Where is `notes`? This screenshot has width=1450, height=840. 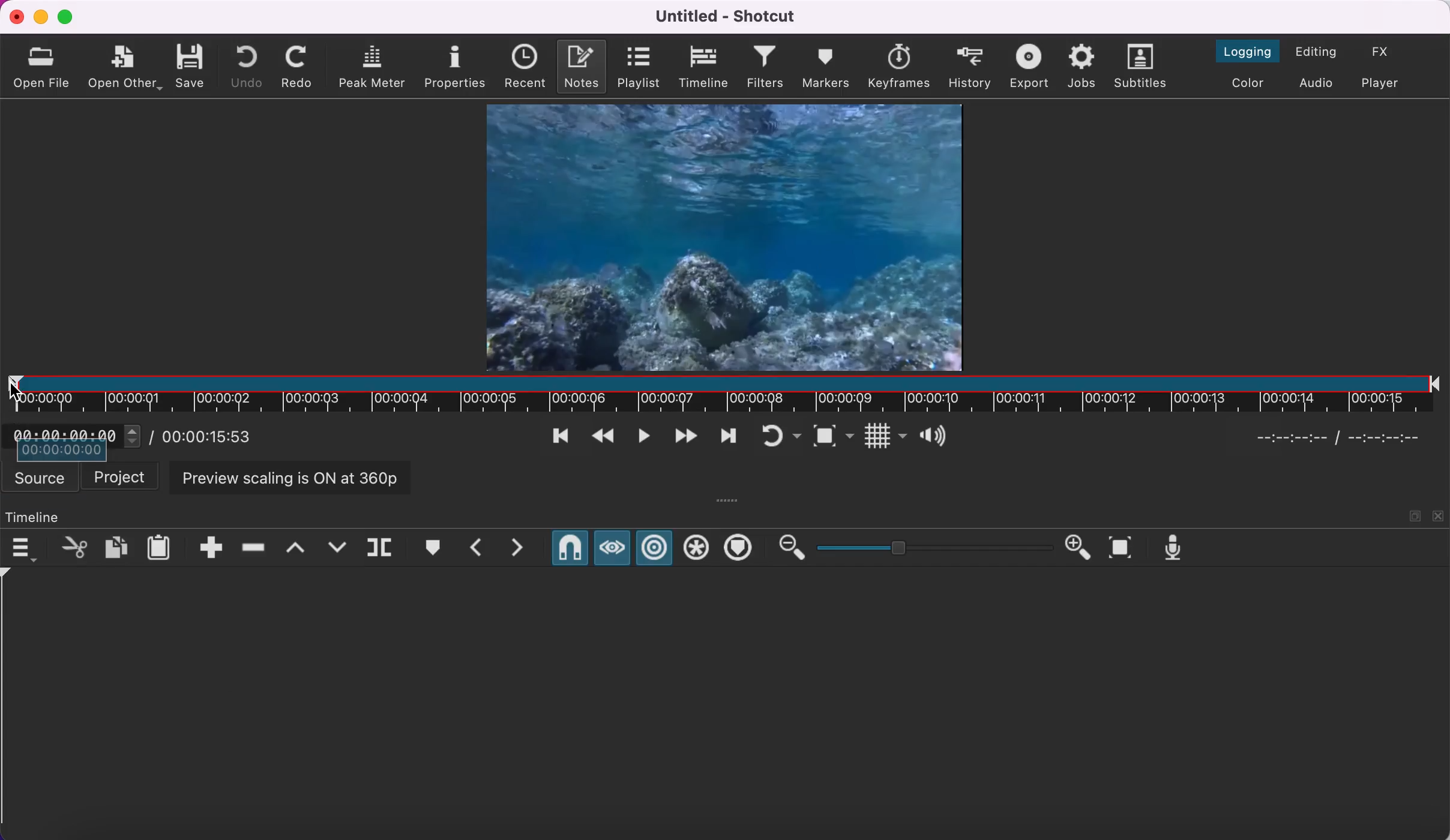
notes is located at coordinates (583, 66).